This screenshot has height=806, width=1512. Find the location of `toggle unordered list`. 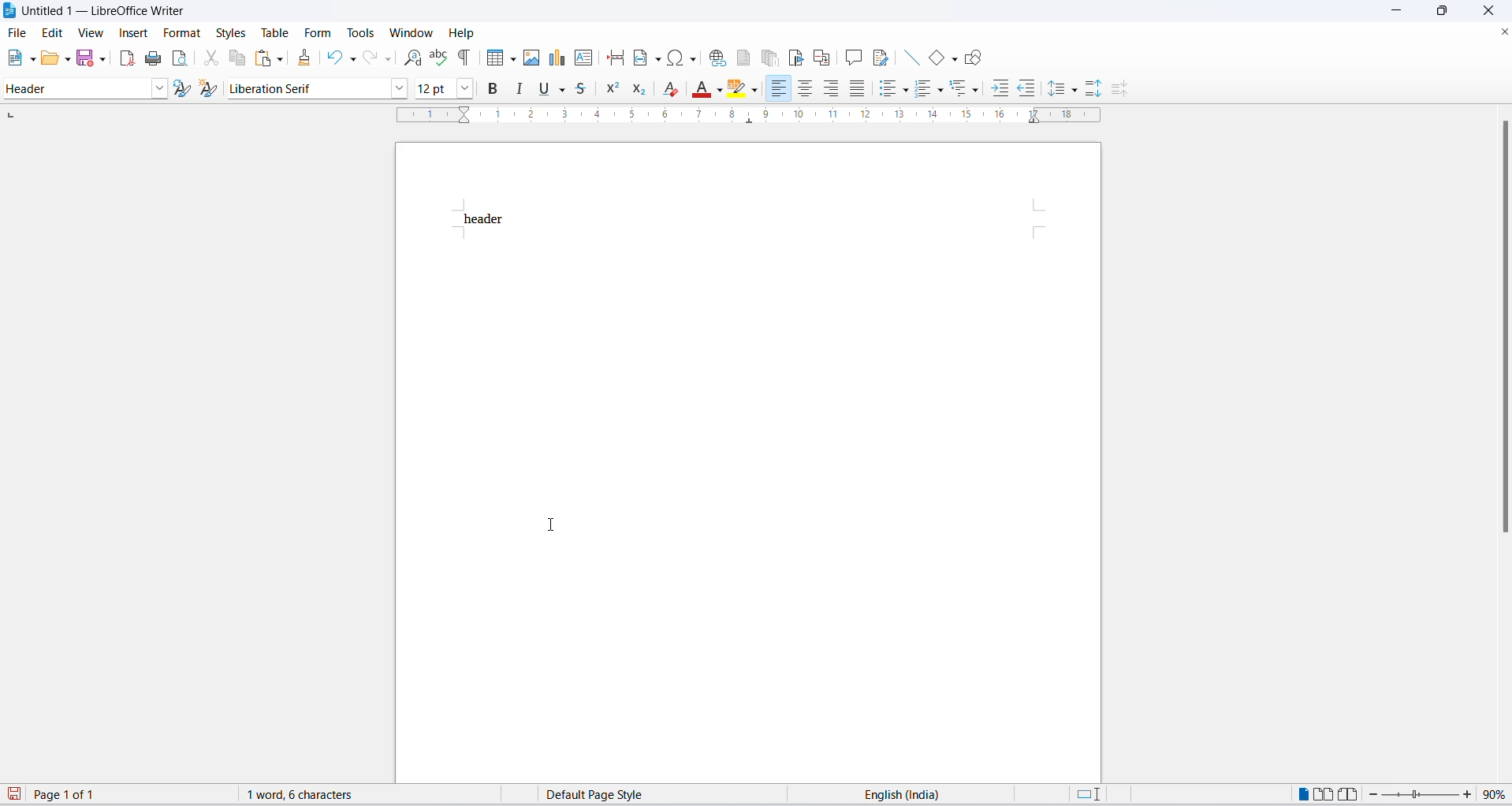

toggle unordered list is located at coordinates (906, 91).